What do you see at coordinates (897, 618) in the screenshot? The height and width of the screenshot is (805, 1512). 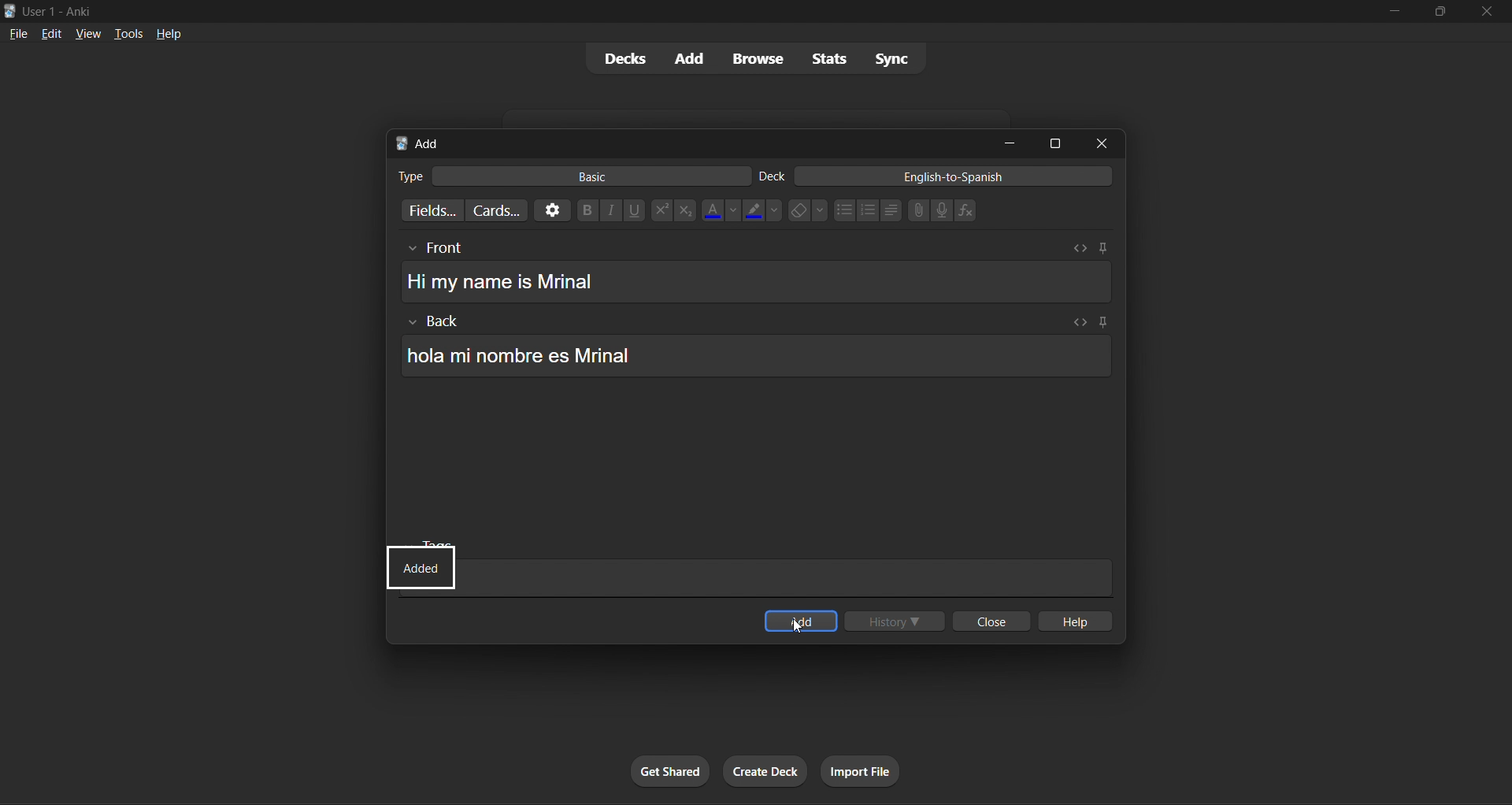 I see `history` at bounding box center [897, 618].